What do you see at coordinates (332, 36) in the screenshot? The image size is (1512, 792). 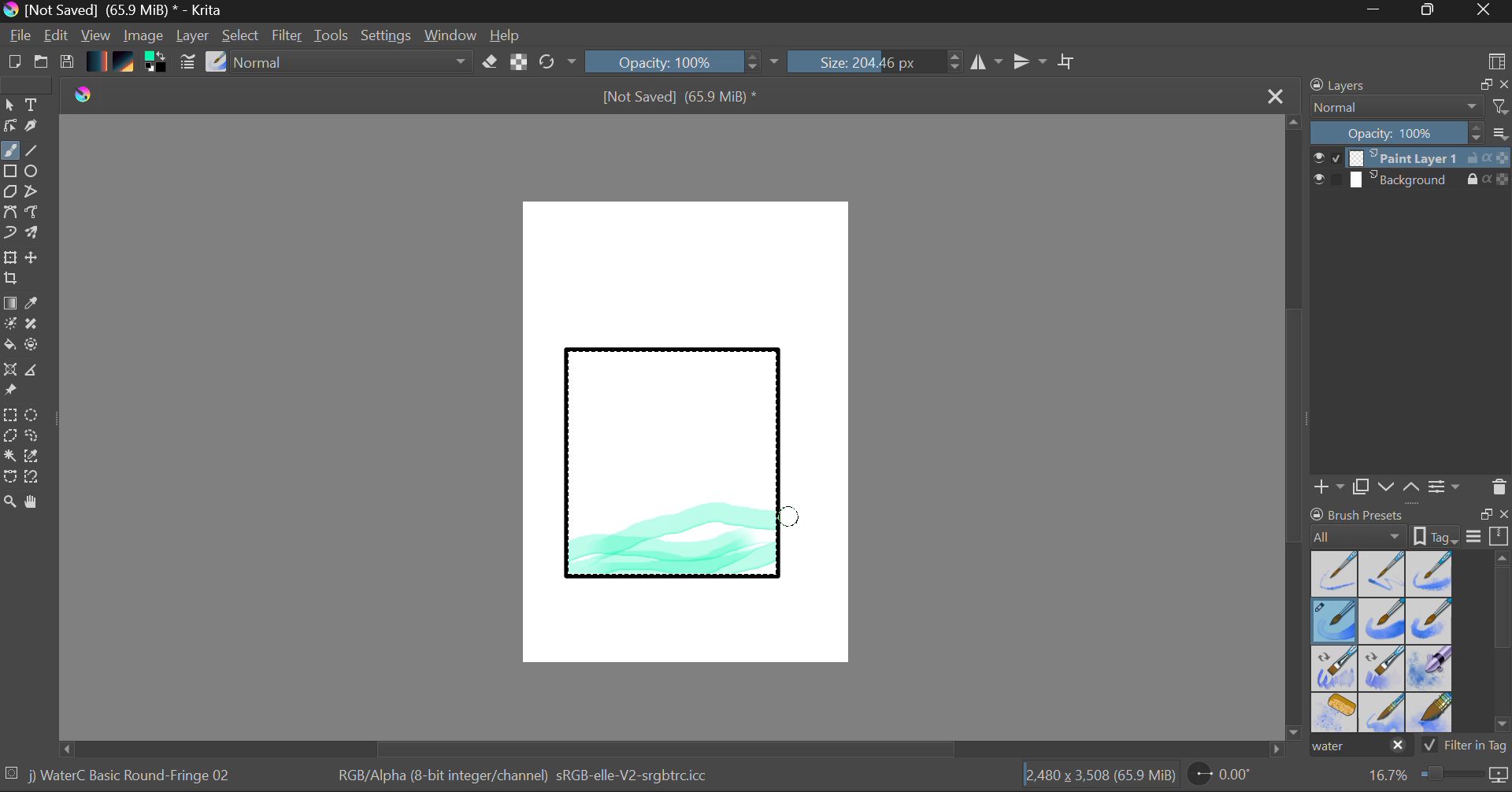 I see `Tools` at bounding box center [332, 36].